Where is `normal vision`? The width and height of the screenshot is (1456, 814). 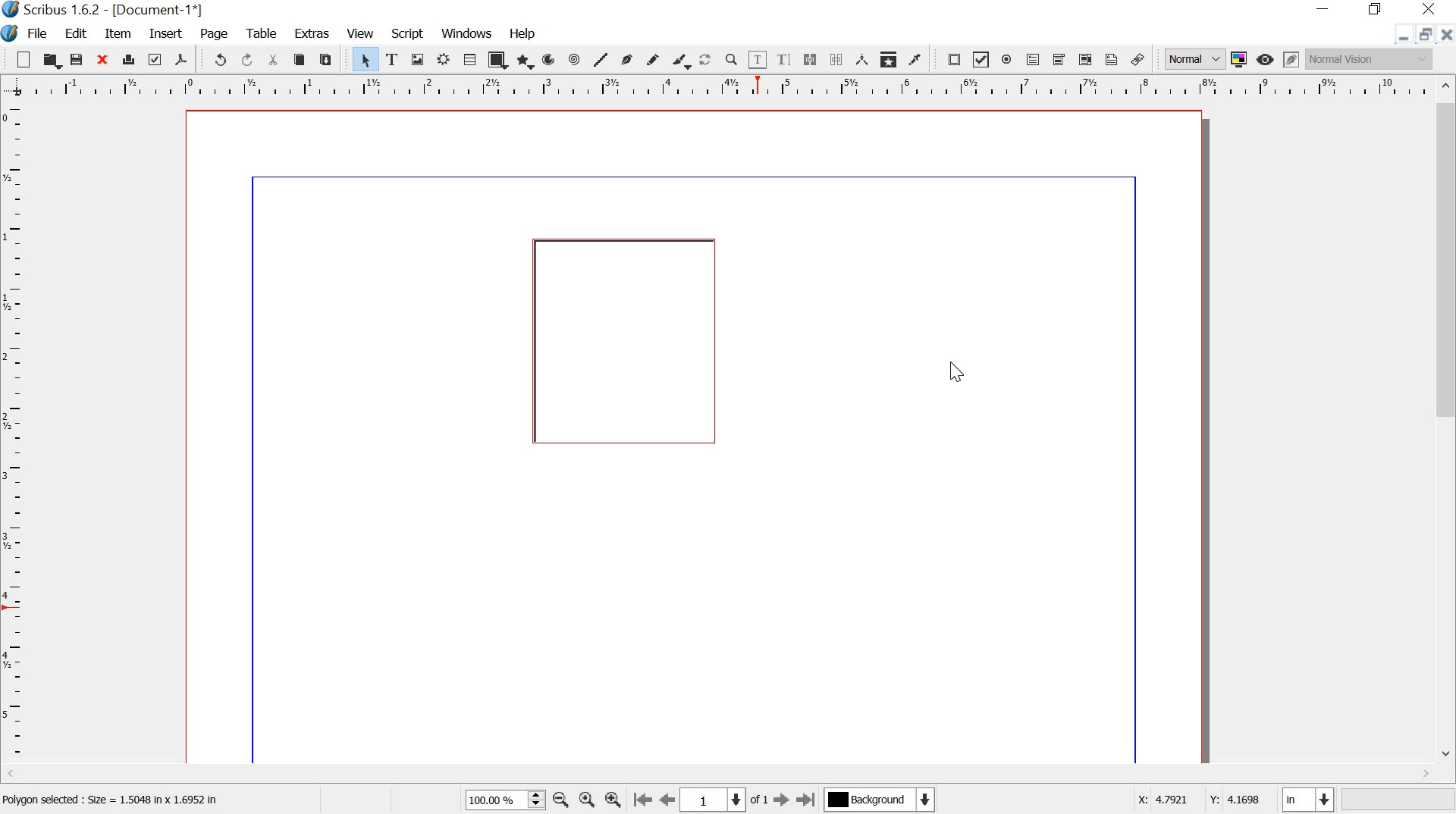
normal vision is located at coordinates (1370, 59).